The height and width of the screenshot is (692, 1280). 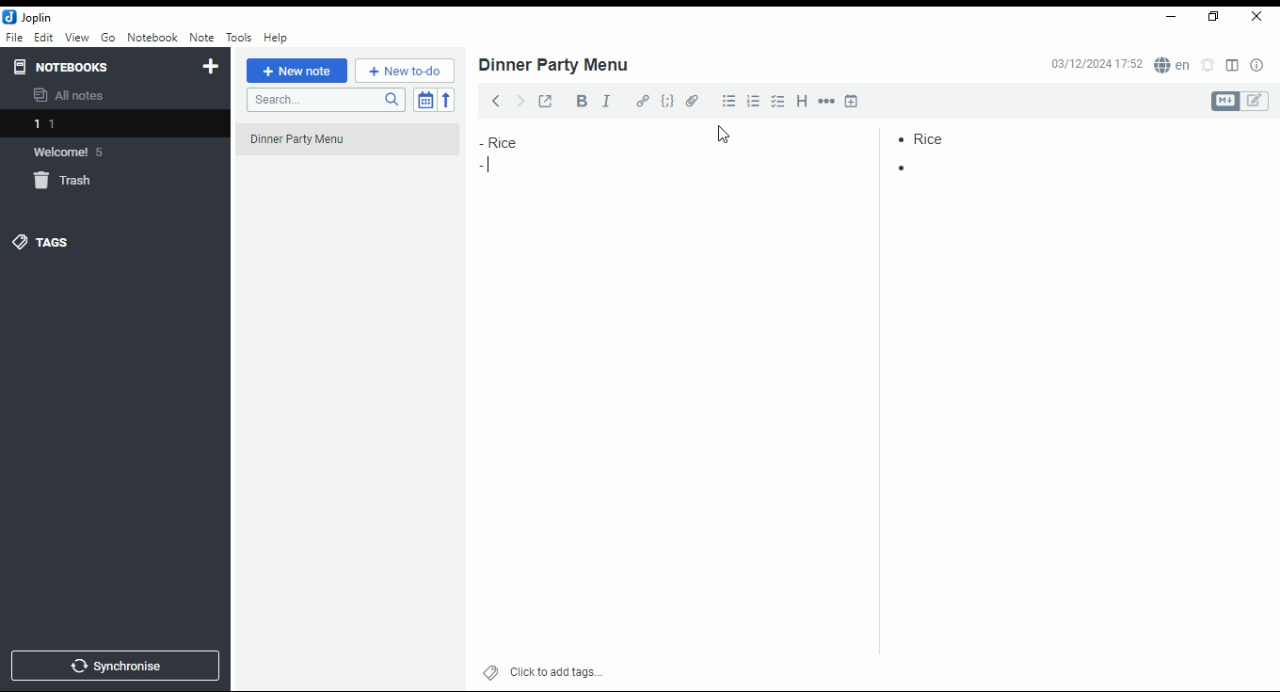 I want to click on maximize, so click(x=1215, y=18).